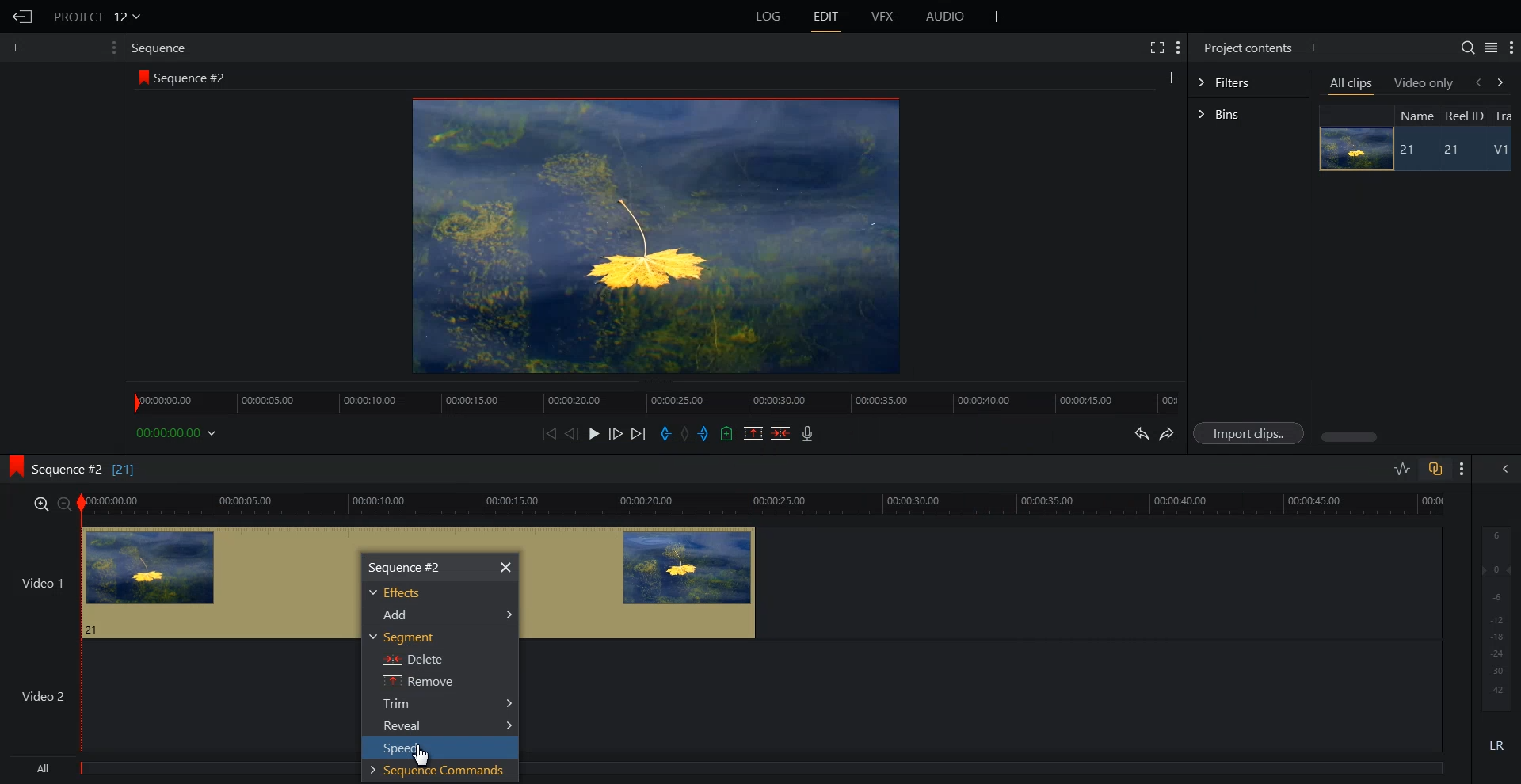 The width and height of the screenshot is (1521, 784). Describe the element at coordinates (506, 568) in the screenshot. I see `close` at that location.